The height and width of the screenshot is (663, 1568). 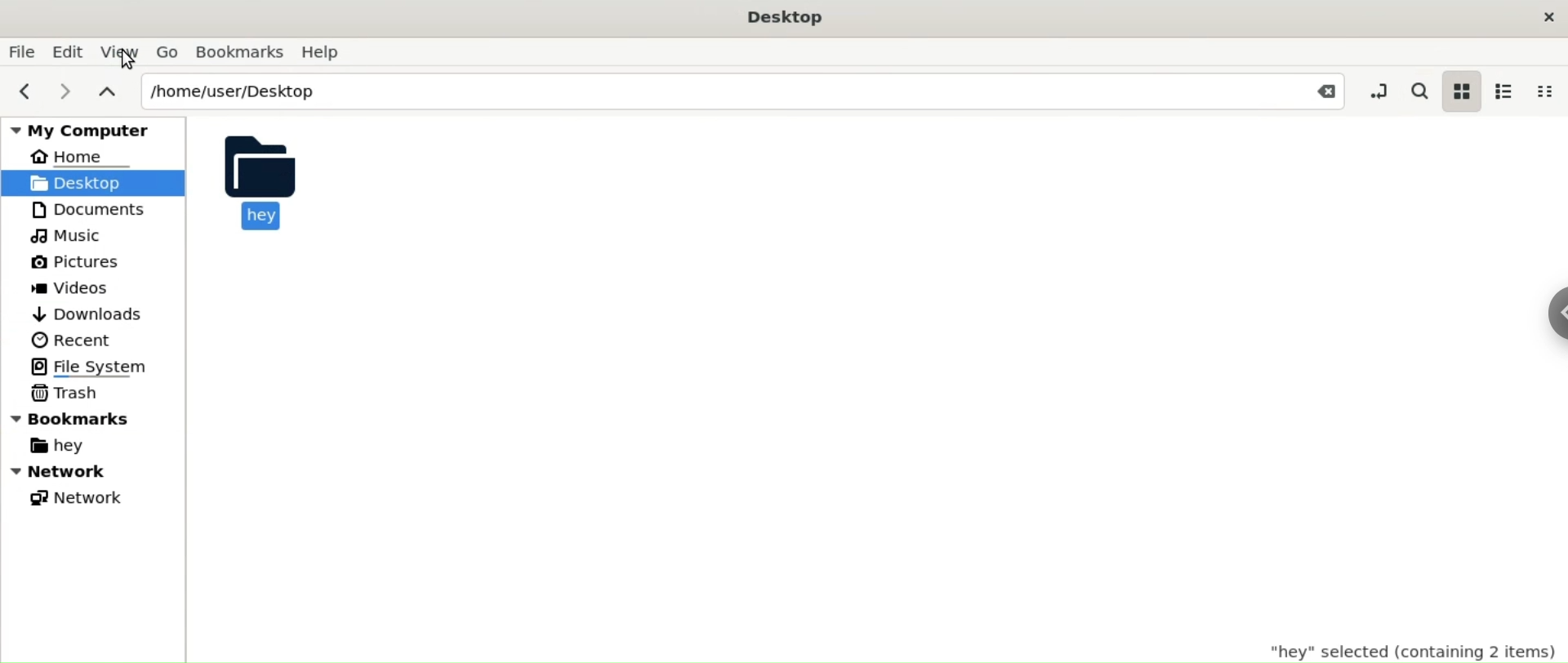 What do you see at coordinates (120, 51) in the screenshot?
I see `View` at bounding box center [120, 51].